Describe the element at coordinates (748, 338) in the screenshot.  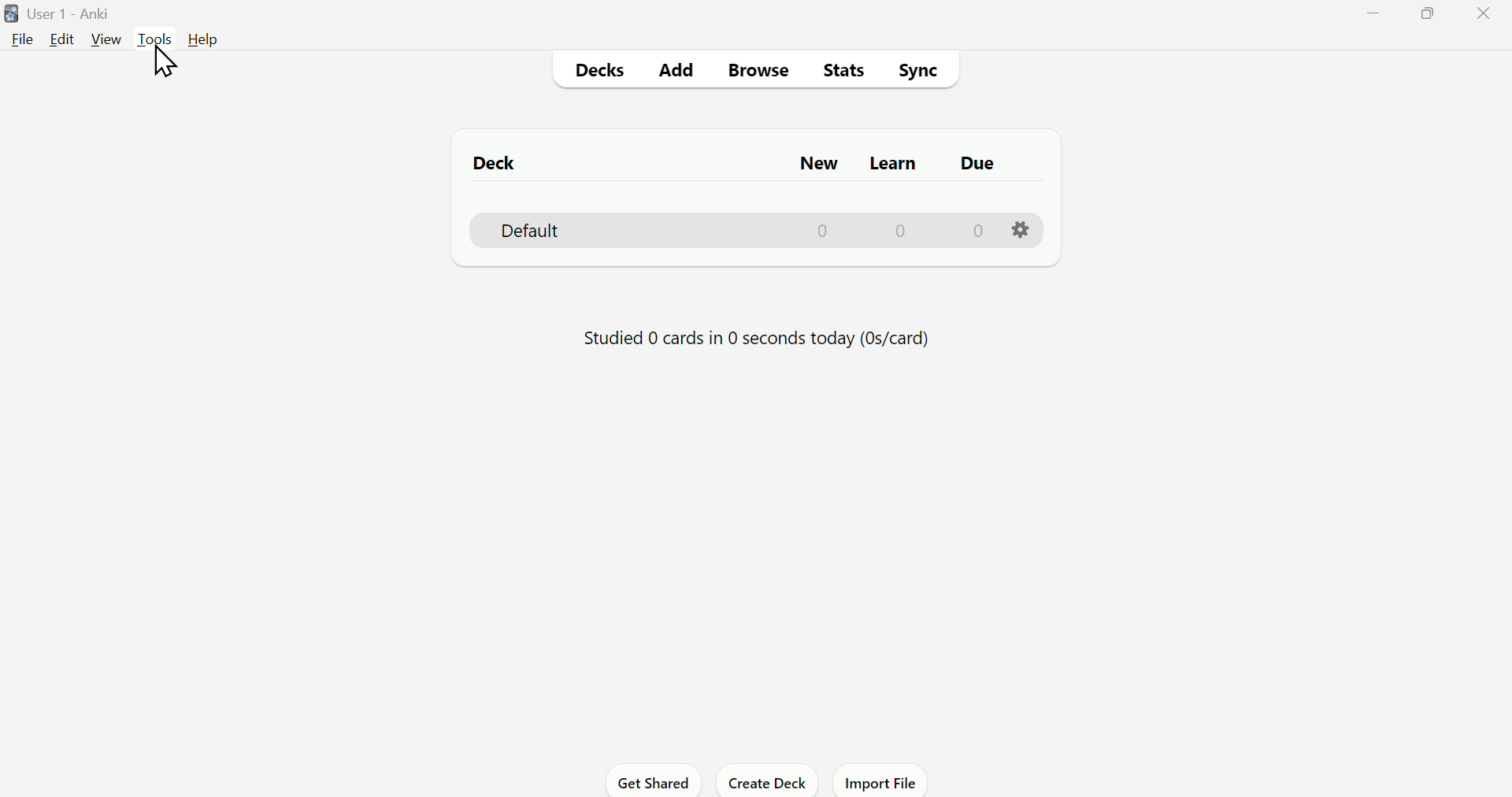
I see `Progress` at that location.